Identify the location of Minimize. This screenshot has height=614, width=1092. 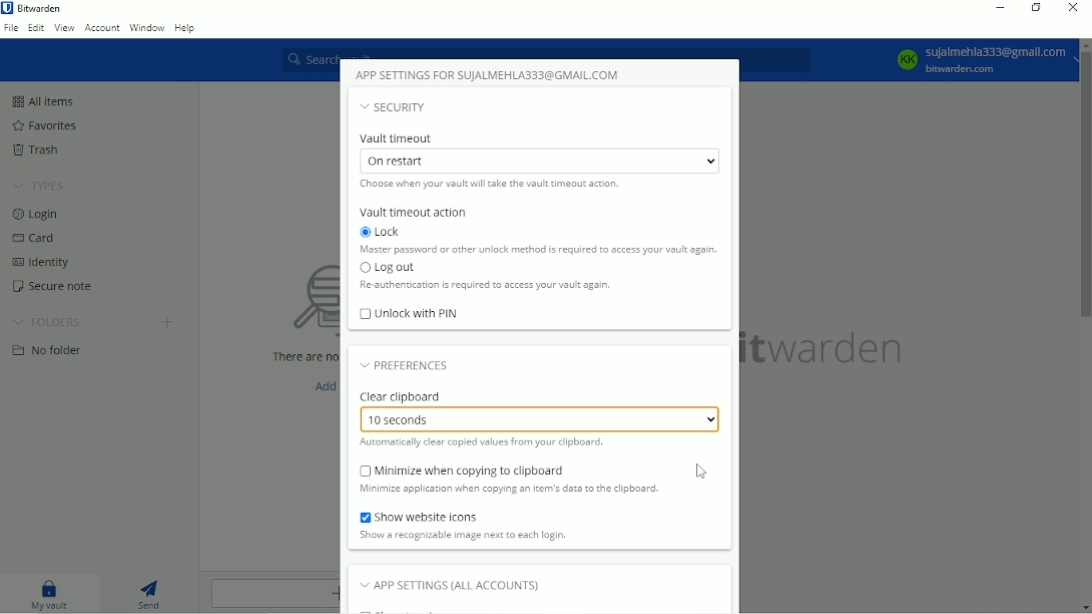
(1001, 8).